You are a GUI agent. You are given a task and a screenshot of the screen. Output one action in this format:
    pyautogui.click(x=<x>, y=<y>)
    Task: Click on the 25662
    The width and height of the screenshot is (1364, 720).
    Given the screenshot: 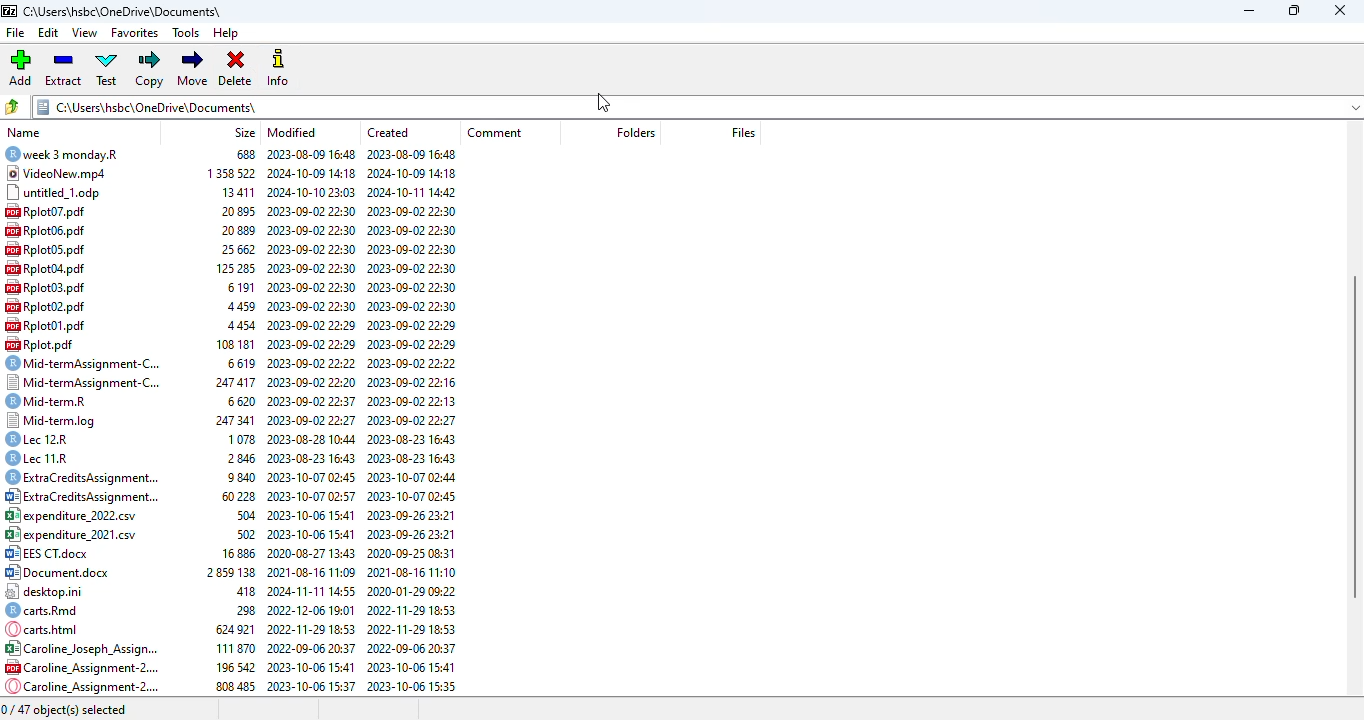 What is the action you would take?
    pyautogui.click(x=232, y=250)
    